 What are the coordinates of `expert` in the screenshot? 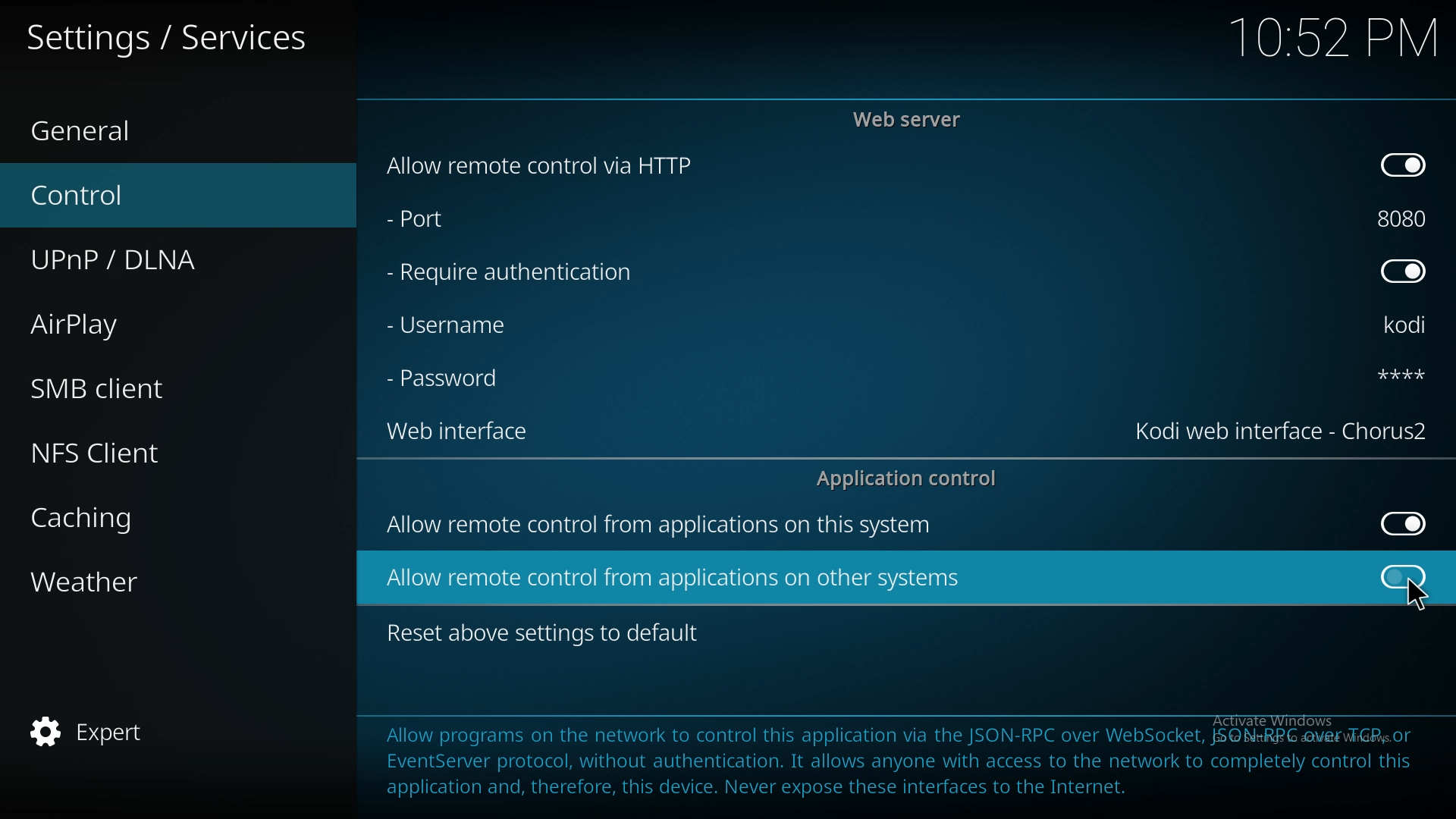 It's located at (155, 729).